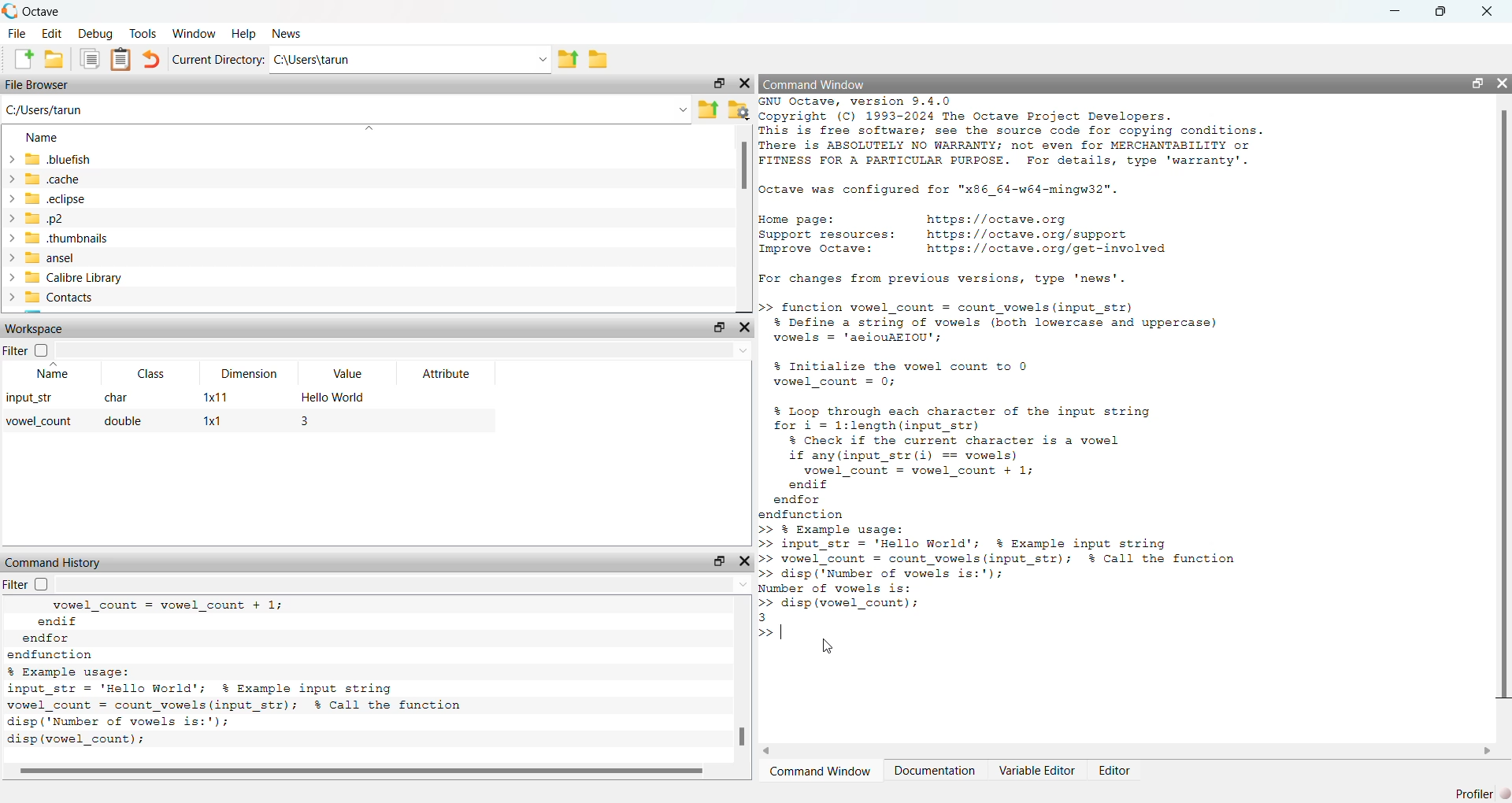  What do you see at coordinates (824, 771) in the screenshot?
I see `Command Window` at bounding box center [824, 771].